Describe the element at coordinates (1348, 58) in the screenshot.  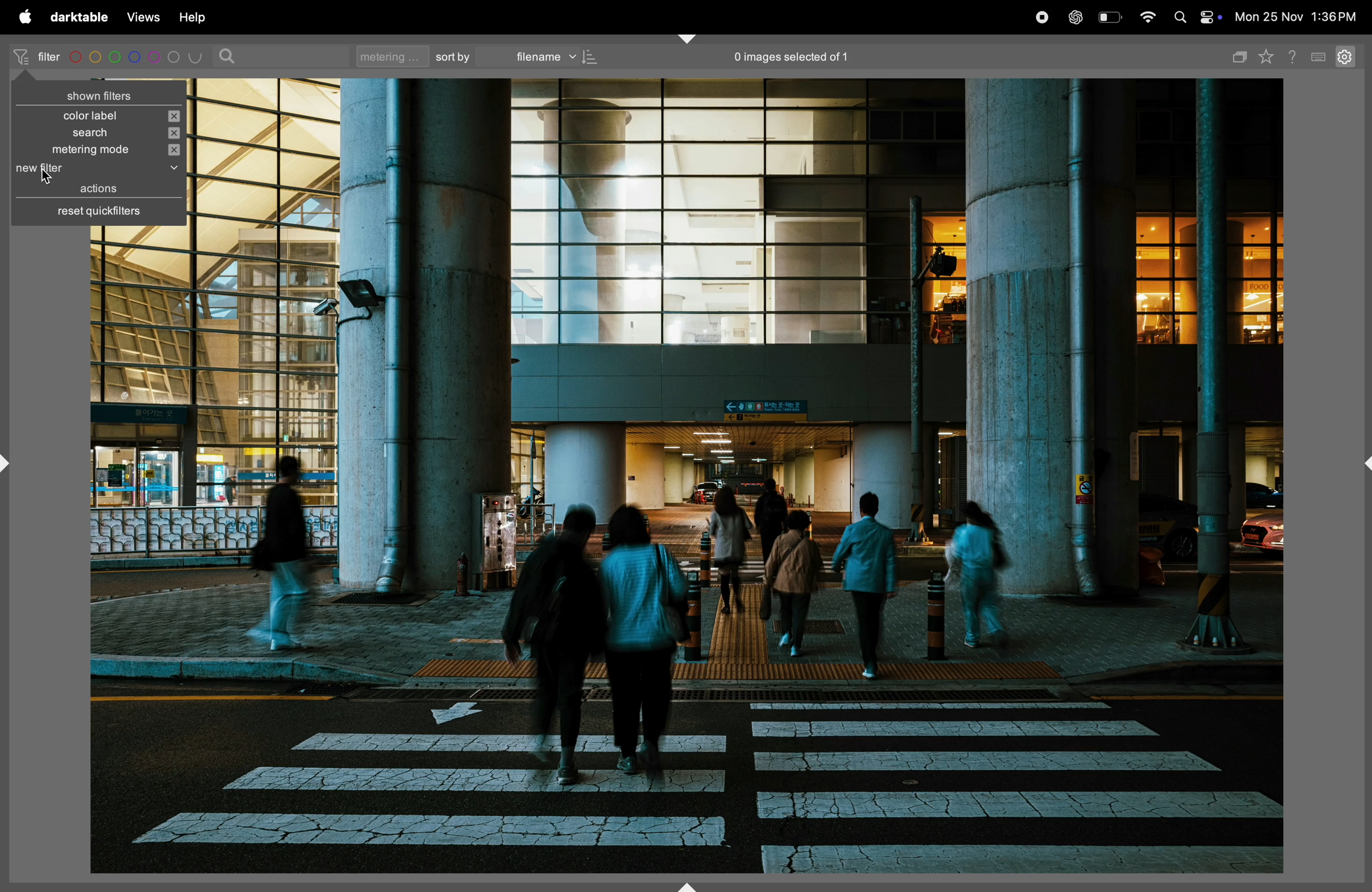
I see `setting` at that location.